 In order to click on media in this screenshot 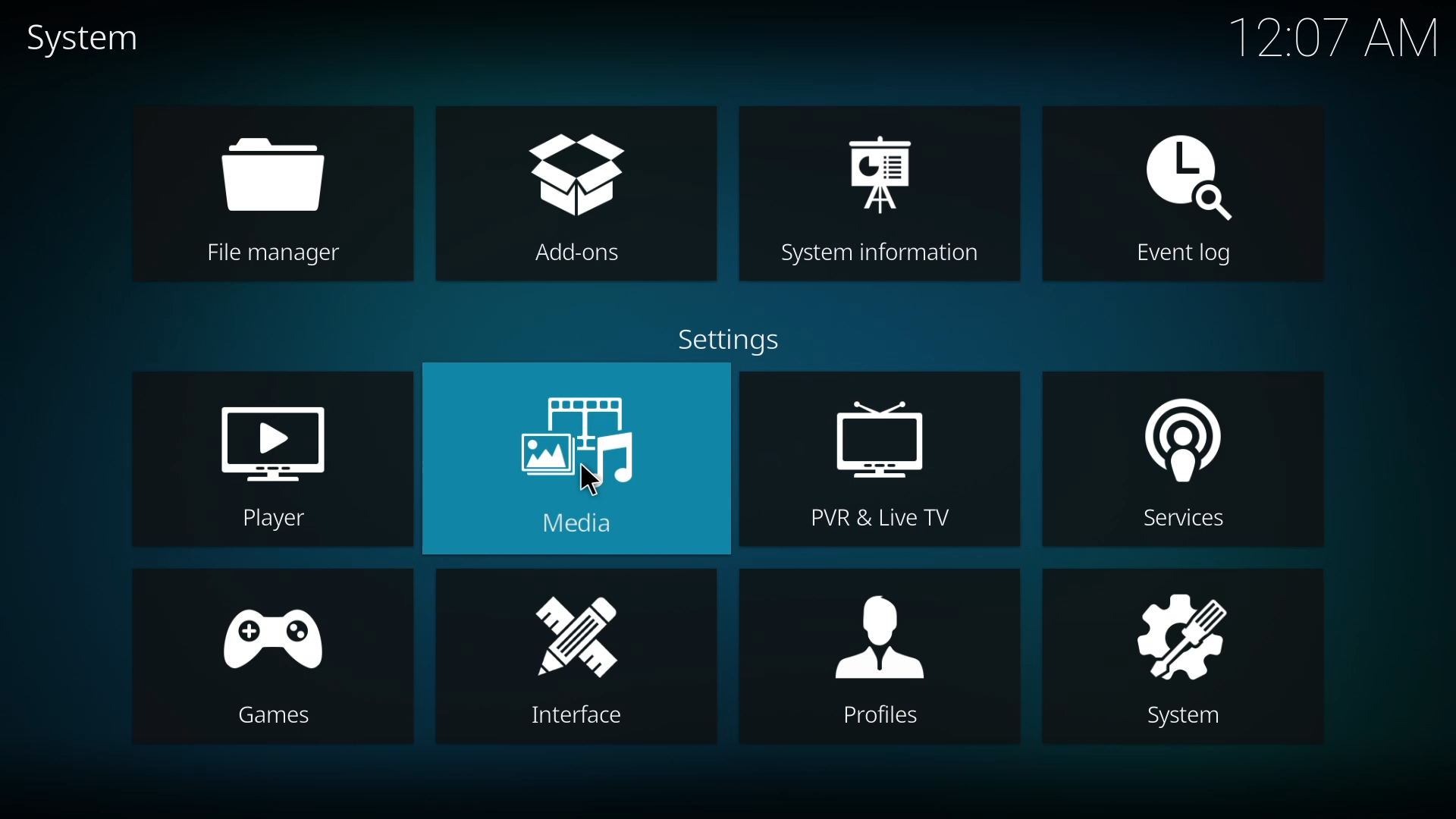, I will do `click(578, 460)`.